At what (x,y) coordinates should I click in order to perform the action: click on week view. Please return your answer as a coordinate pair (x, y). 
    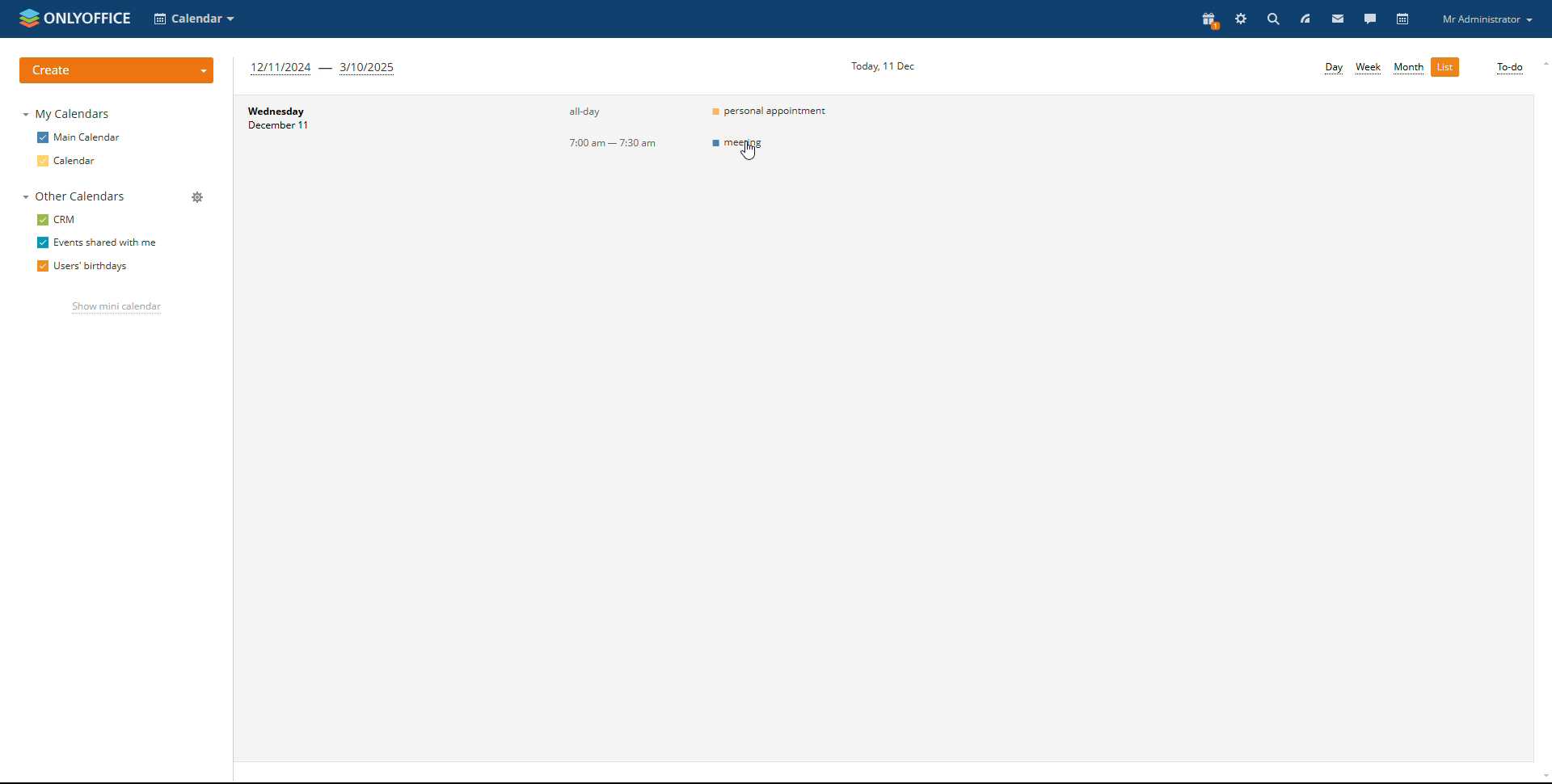
    Looking at the image, I should click on (1369, 68).